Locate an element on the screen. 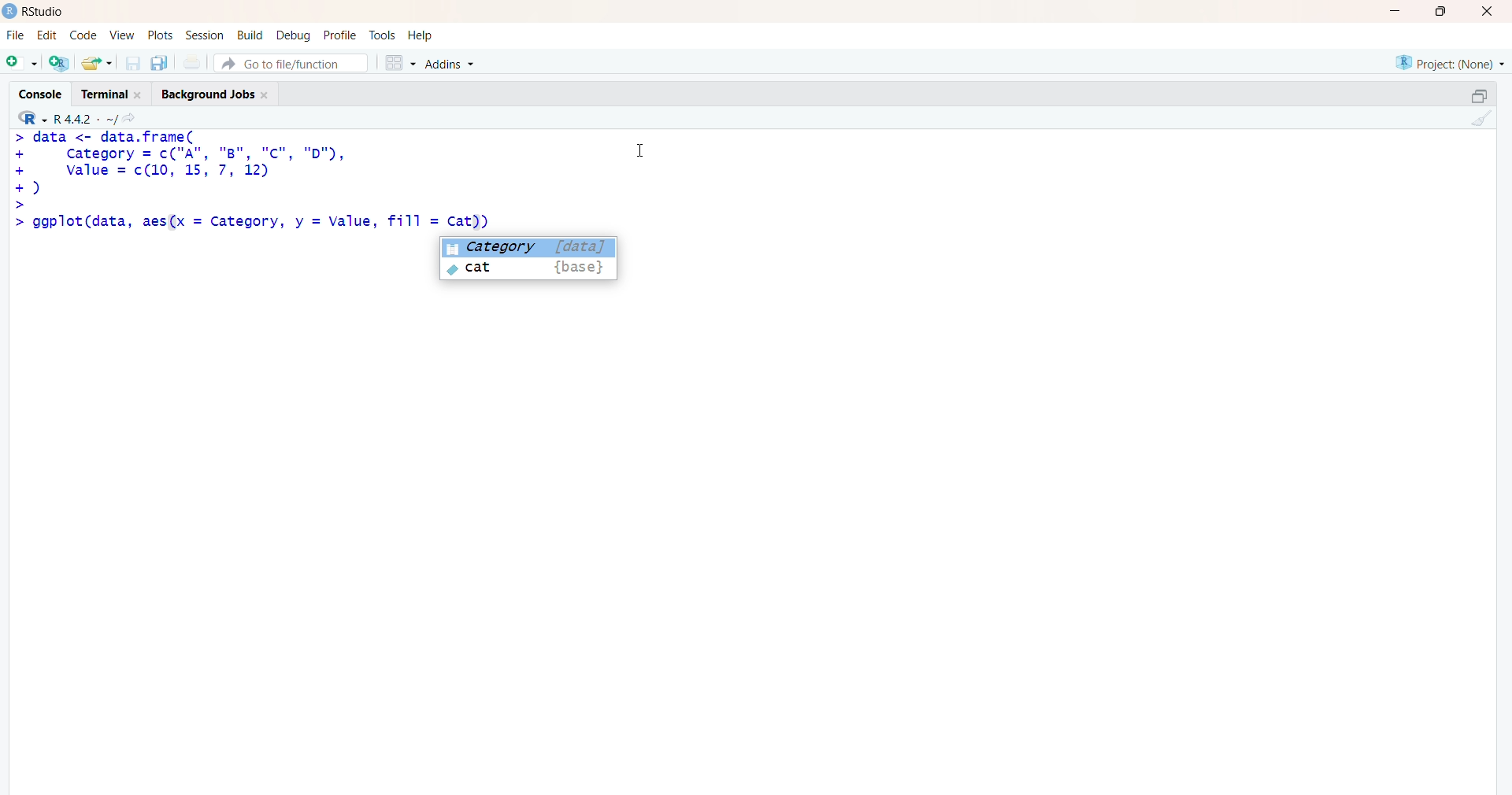  View is located at coordinates (123, 35).